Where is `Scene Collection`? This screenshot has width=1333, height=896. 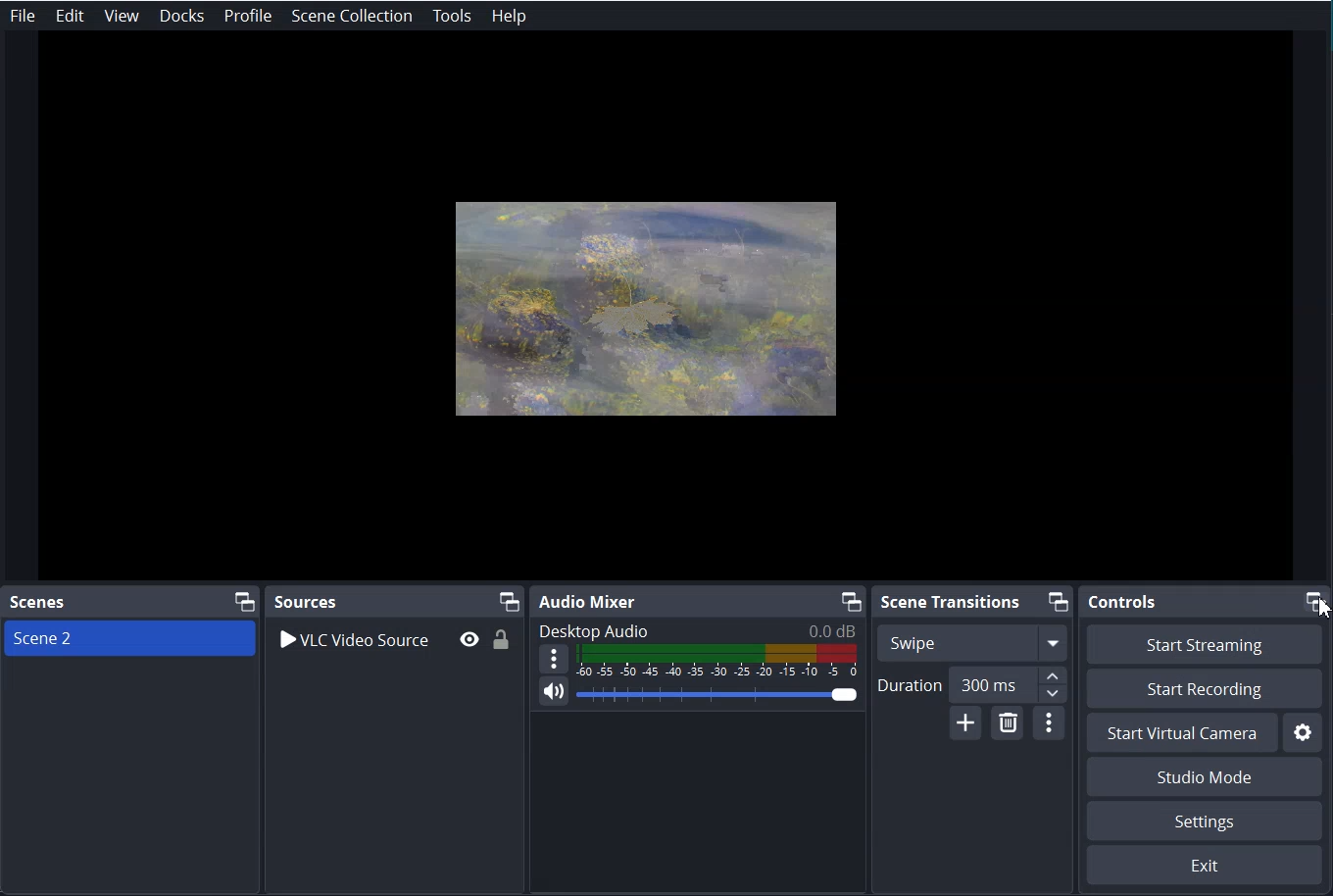
Scene Collection is located at coordinates (351, 16).